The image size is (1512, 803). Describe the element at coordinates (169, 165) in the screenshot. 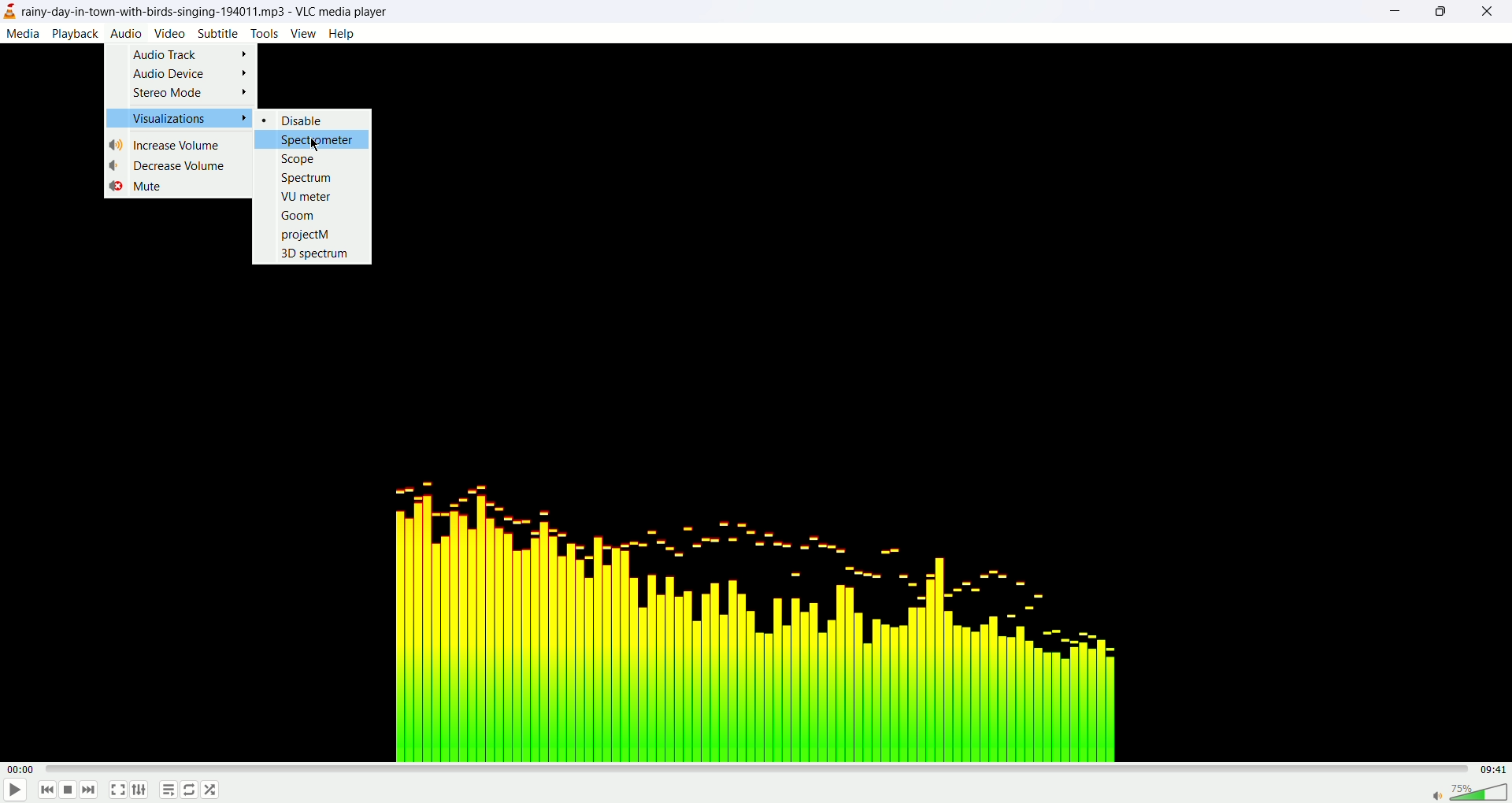

I see `decrease volume` at that location.